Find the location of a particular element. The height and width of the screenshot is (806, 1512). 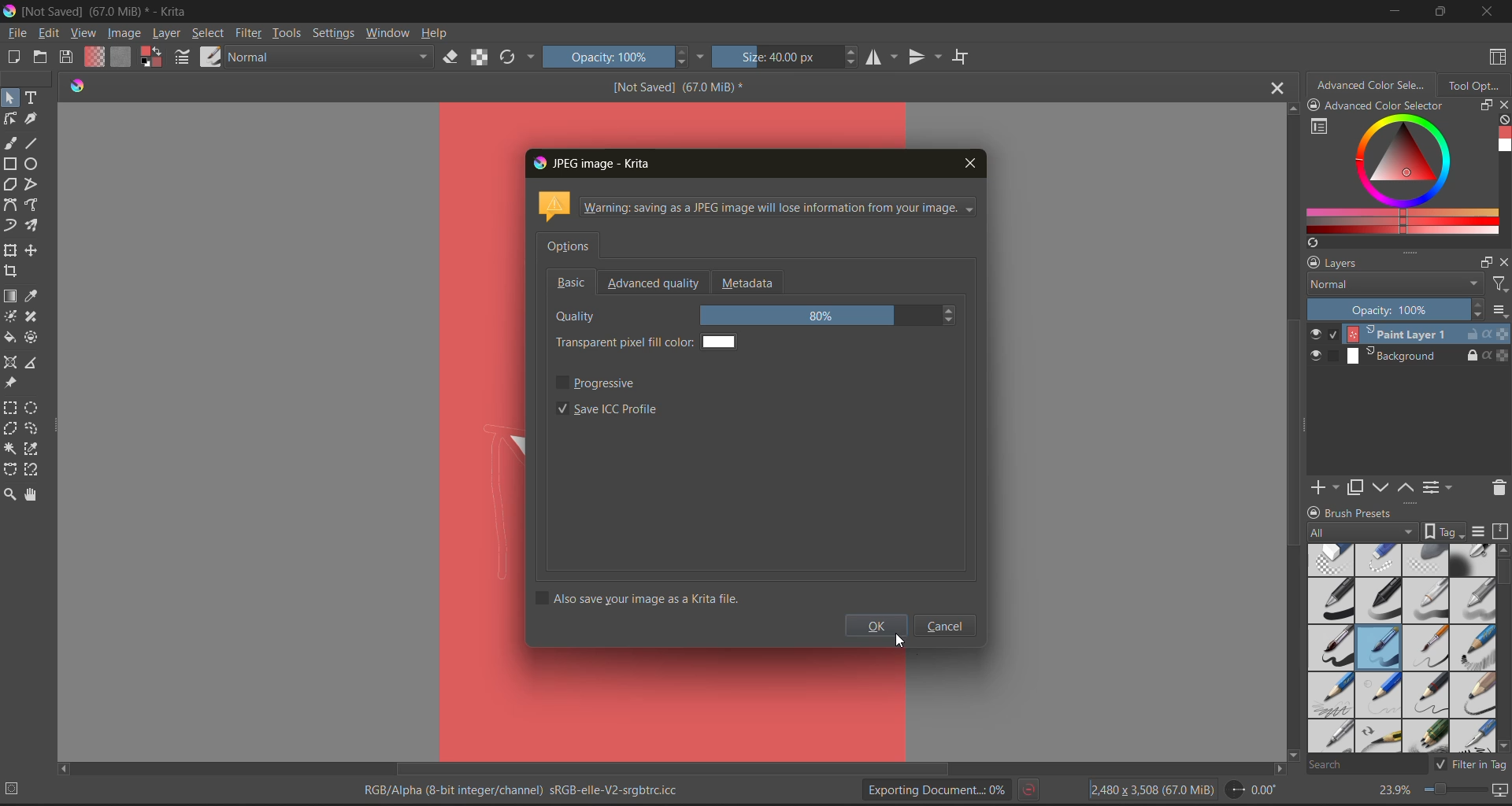

tools is located at coordinates (9, 97).